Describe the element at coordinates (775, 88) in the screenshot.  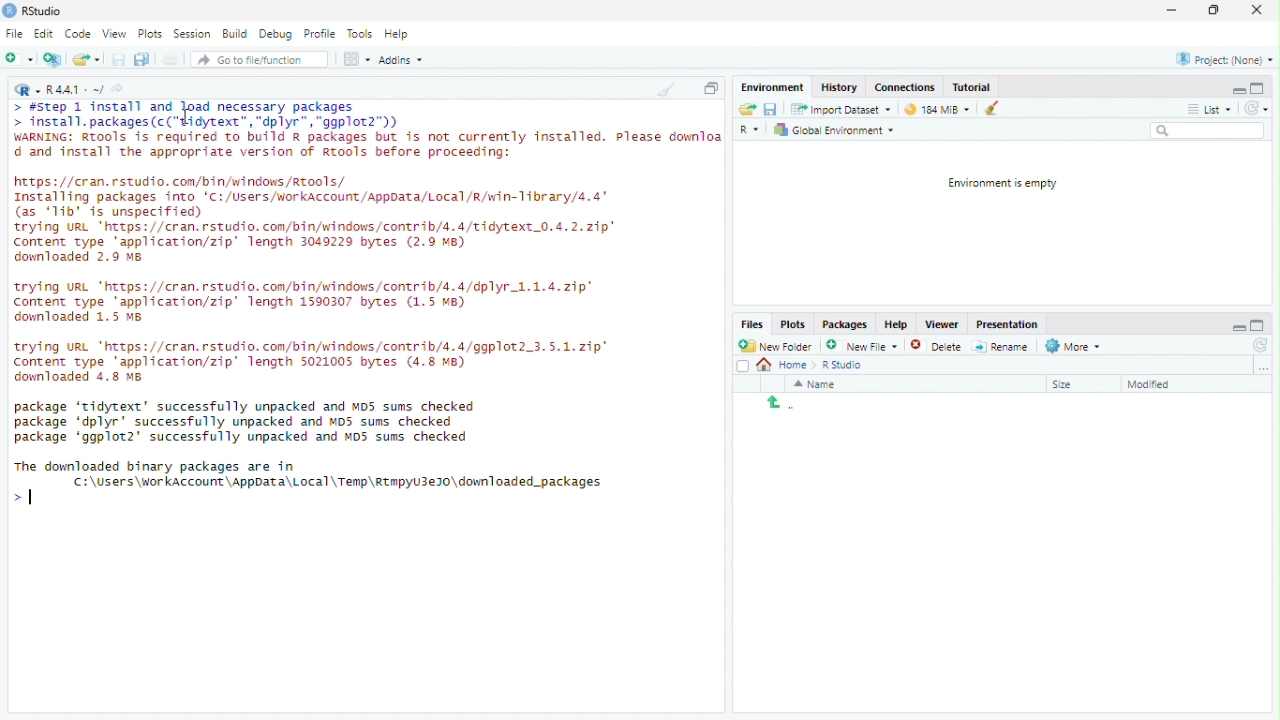
I see `` at that location.